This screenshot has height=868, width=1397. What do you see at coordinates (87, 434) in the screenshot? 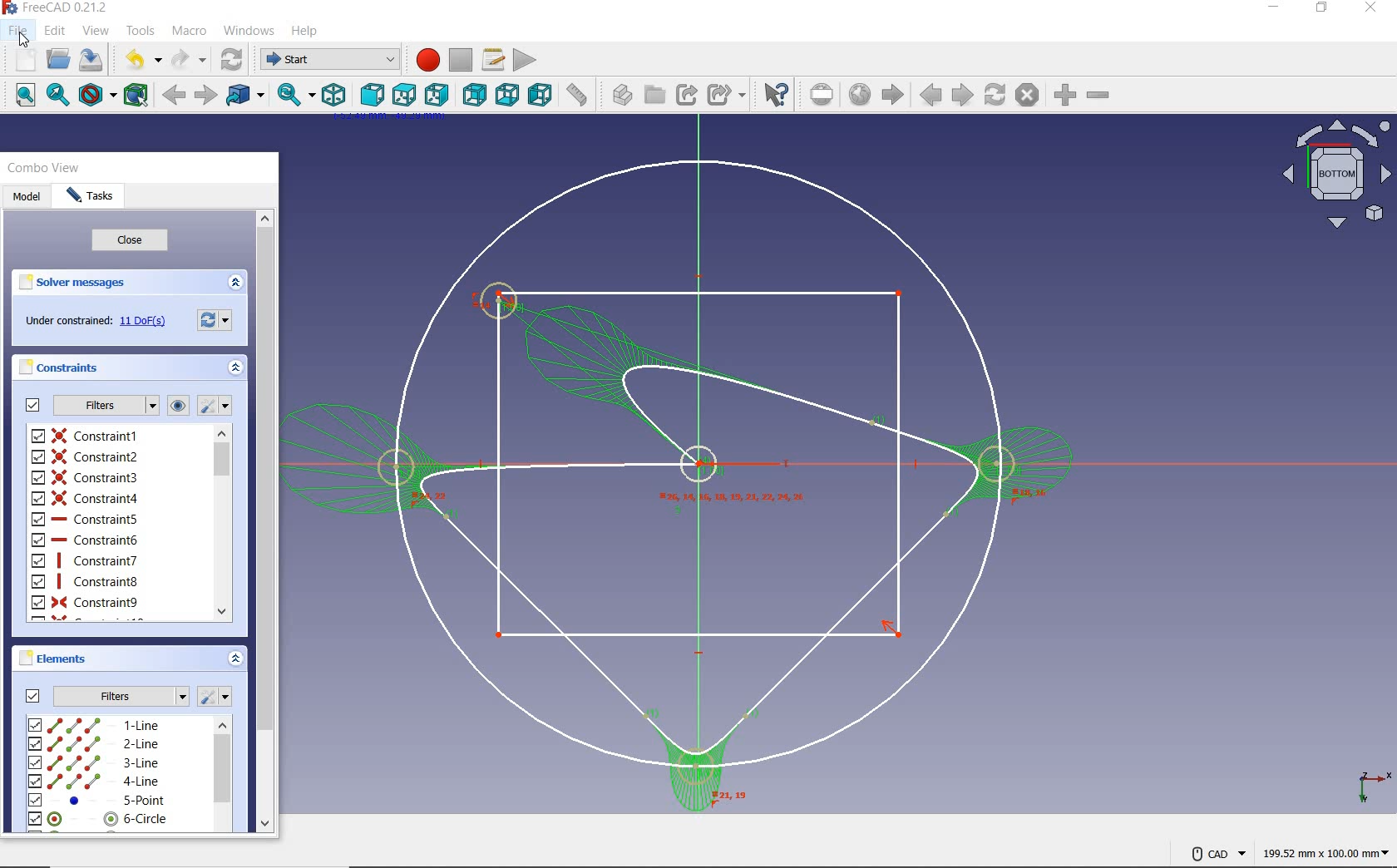
I see `constraint1` at bounding box center [87, 434].